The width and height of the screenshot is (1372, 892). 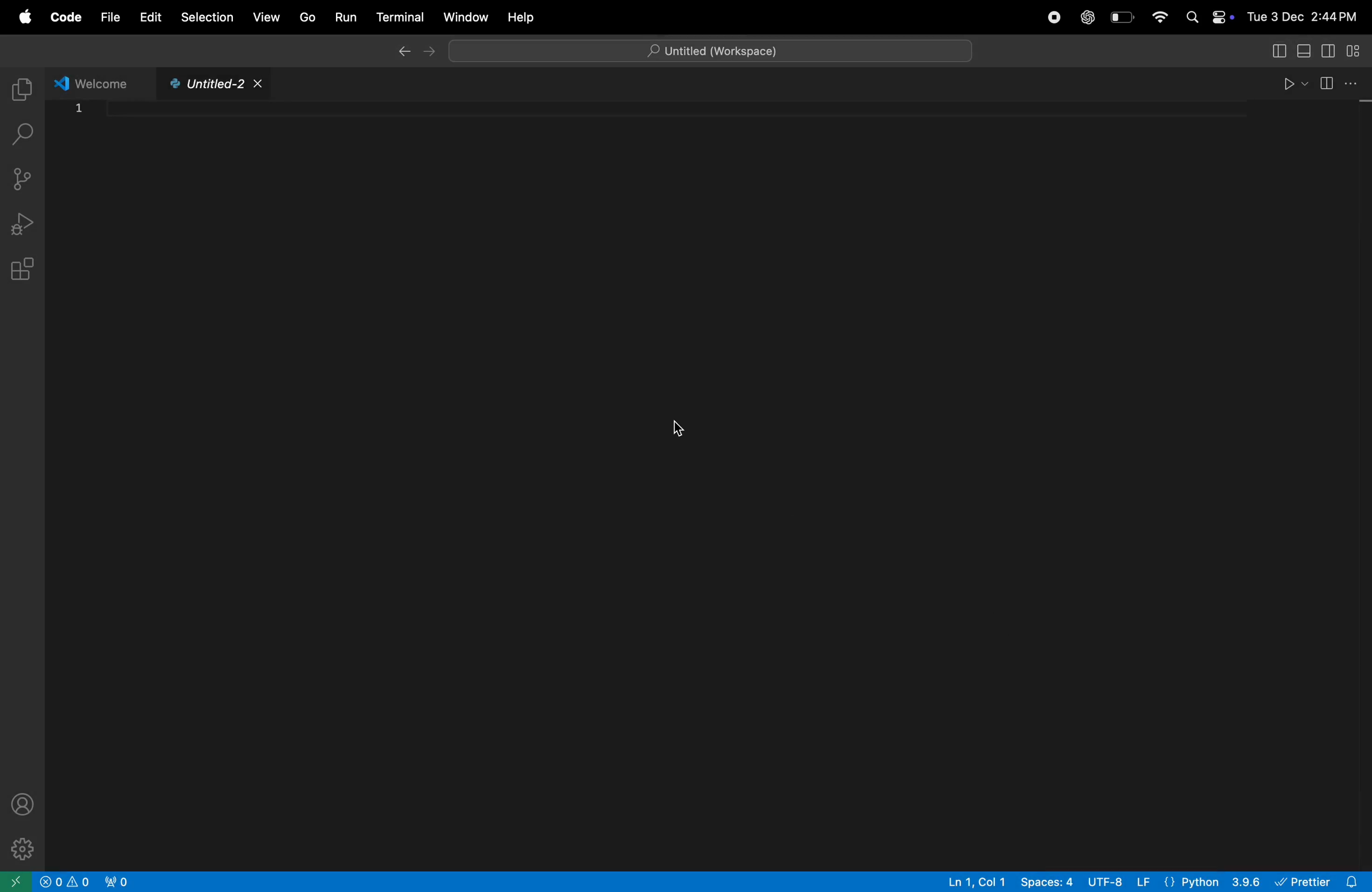 What do you see at coordinates (1278, 50) in the screenshot?
I see `toggle primary side bar` at bounding box center [1278, 50].